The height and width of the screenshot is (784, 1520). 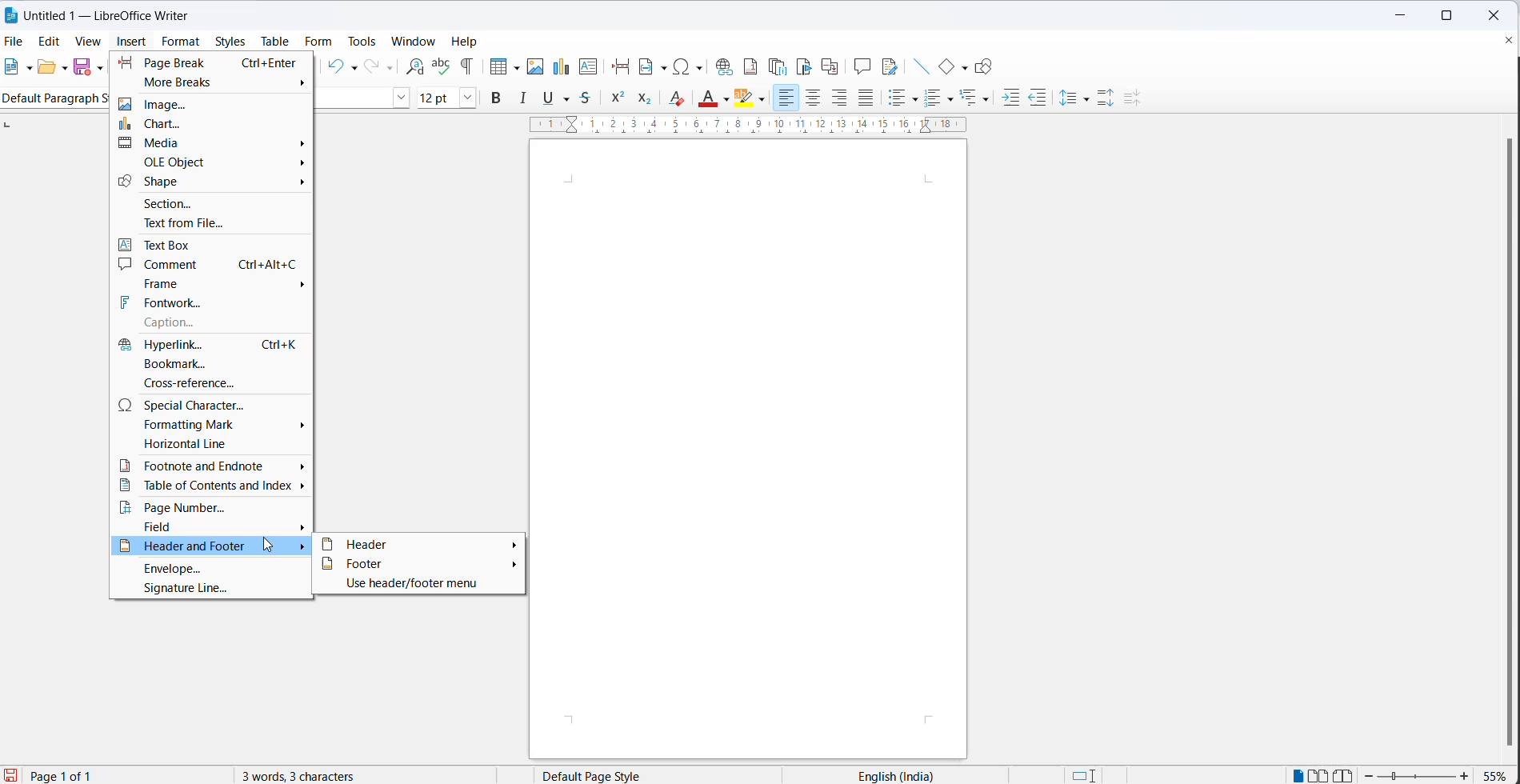 What do you see at coordinates (206, 446) in the screenshot?
I see `horizontal line` at bounding box center [206, 446].